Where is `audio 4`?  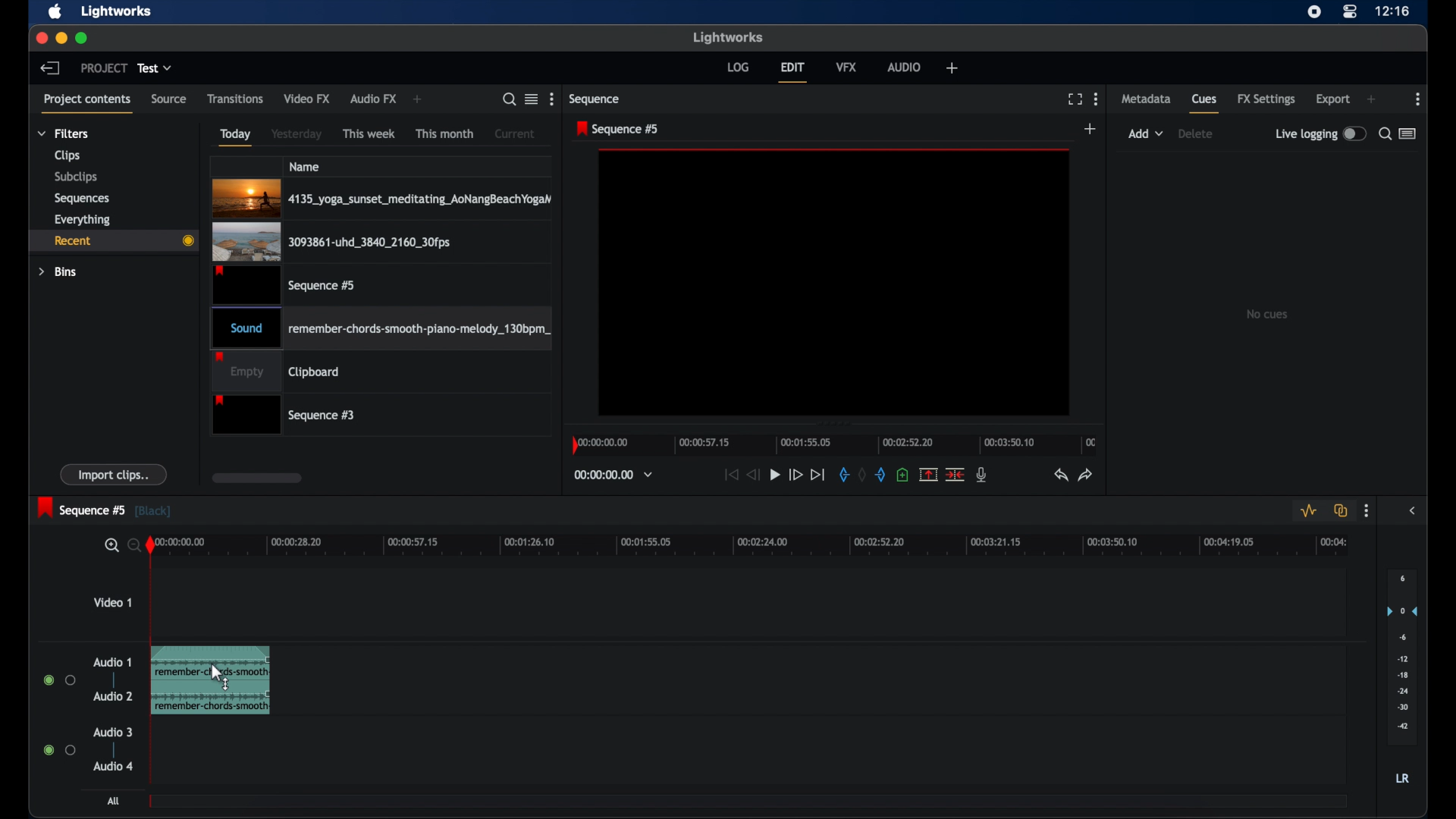
audio 4 is located at coordinates (114, 766).